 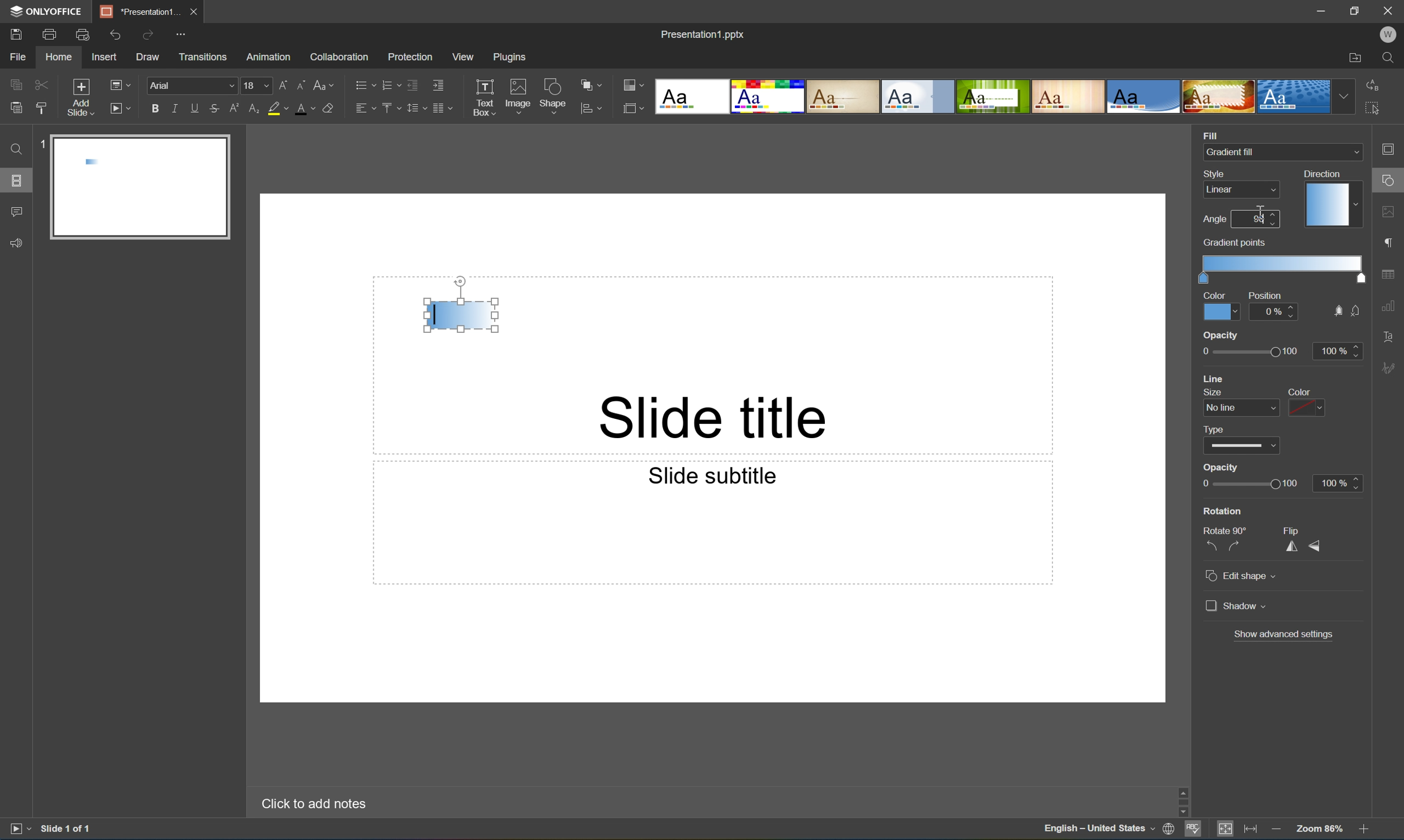 I want to click on ONYOFFICE, so click(x=44, y=11).